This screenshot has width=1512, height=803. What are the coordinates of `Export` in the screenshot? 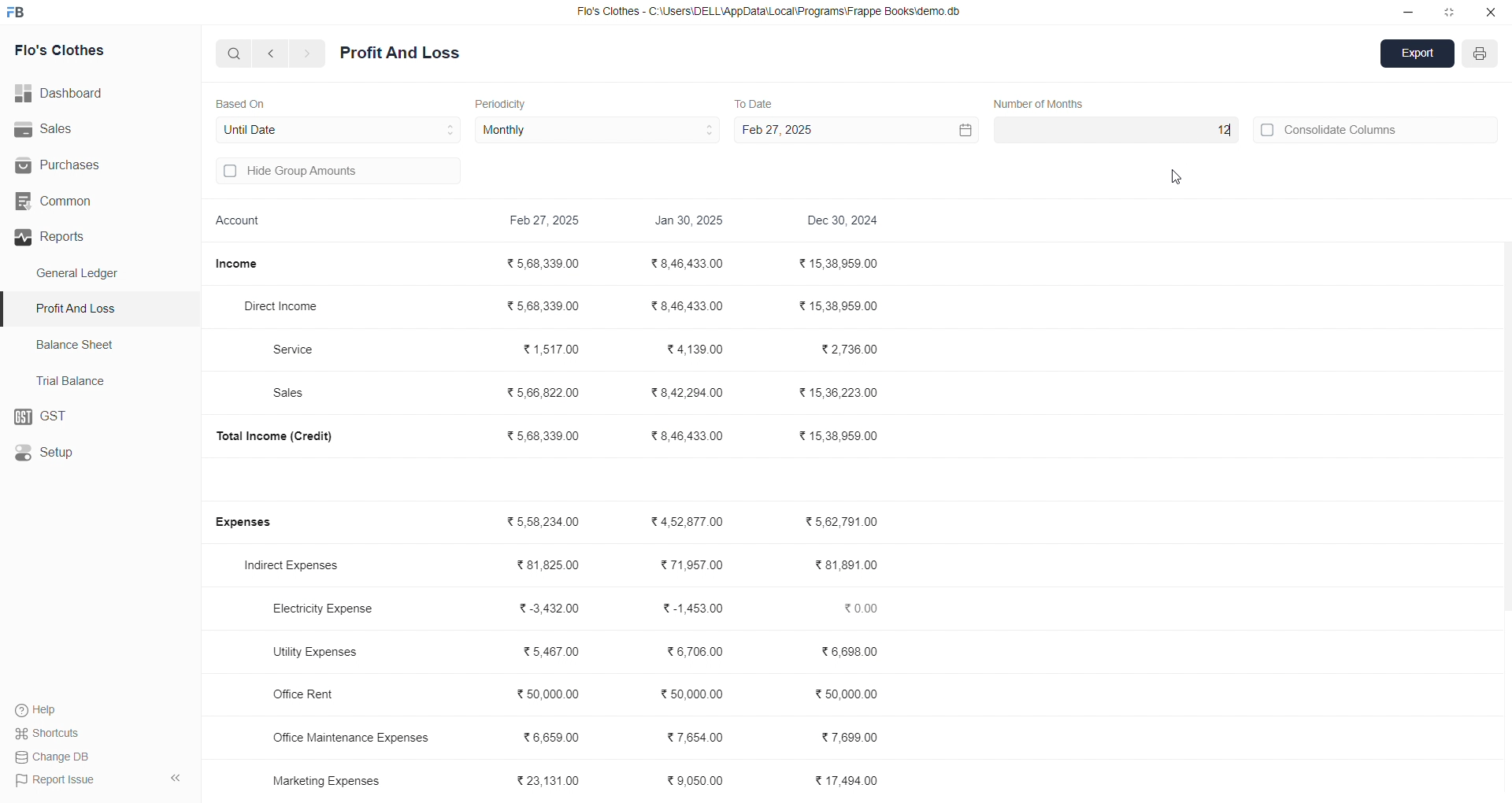 It's located at (1418, 55).